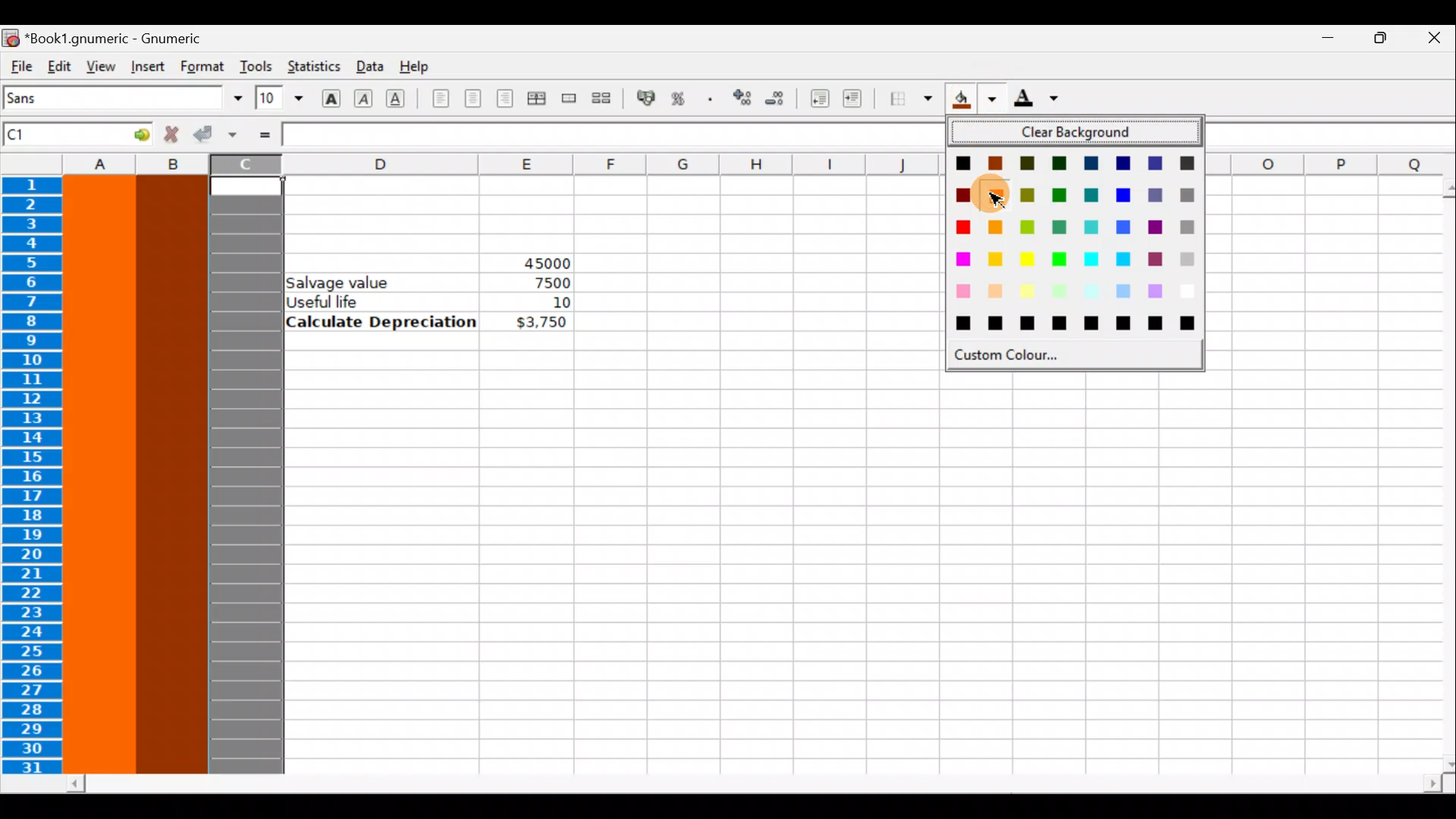 The image size is (1456, 819). I want to click on Borders, so click(911, 99).